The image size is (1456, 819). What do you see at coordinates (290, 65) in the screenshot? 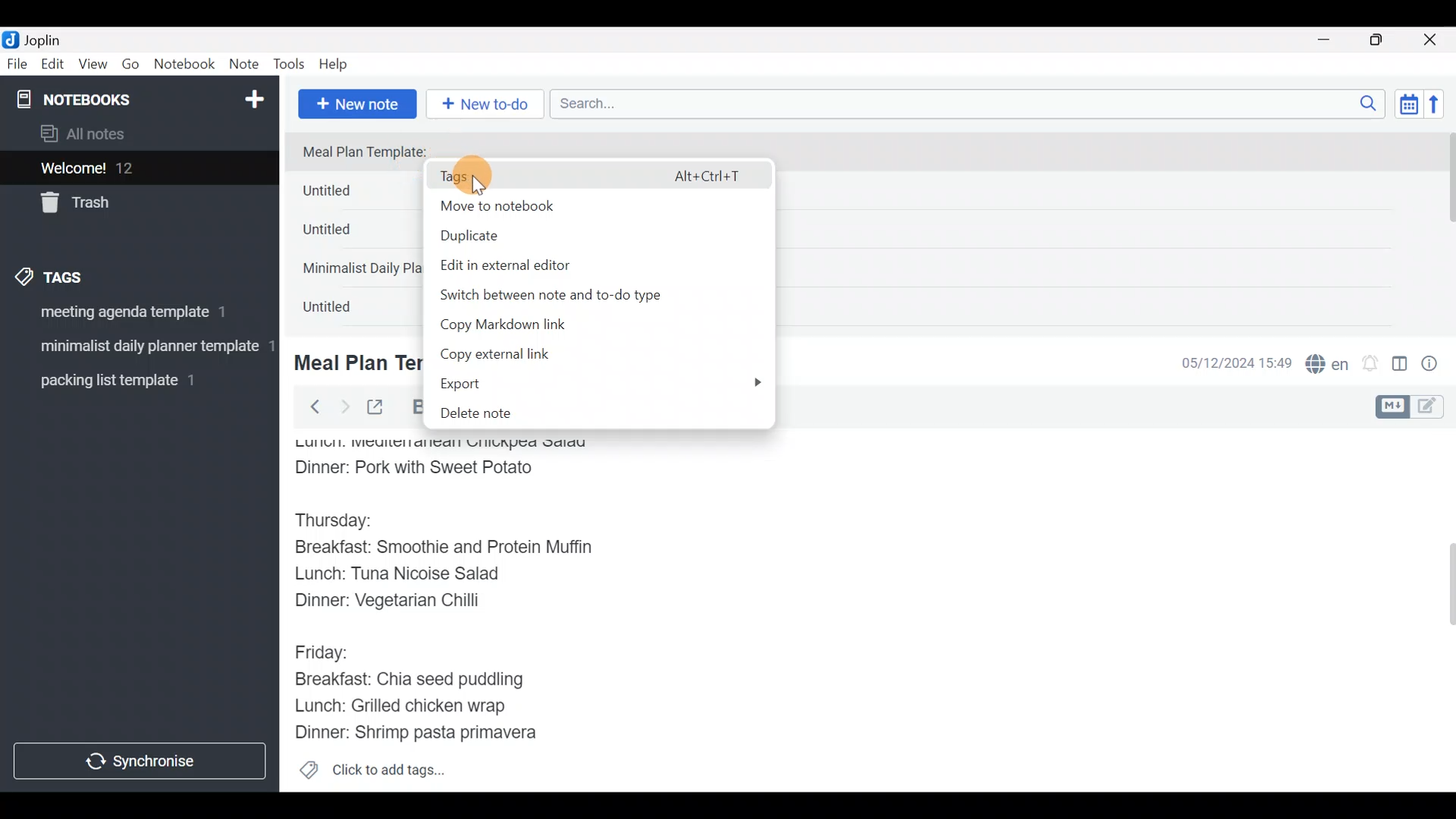
I see `Tools` at bounding box center [290, 65].